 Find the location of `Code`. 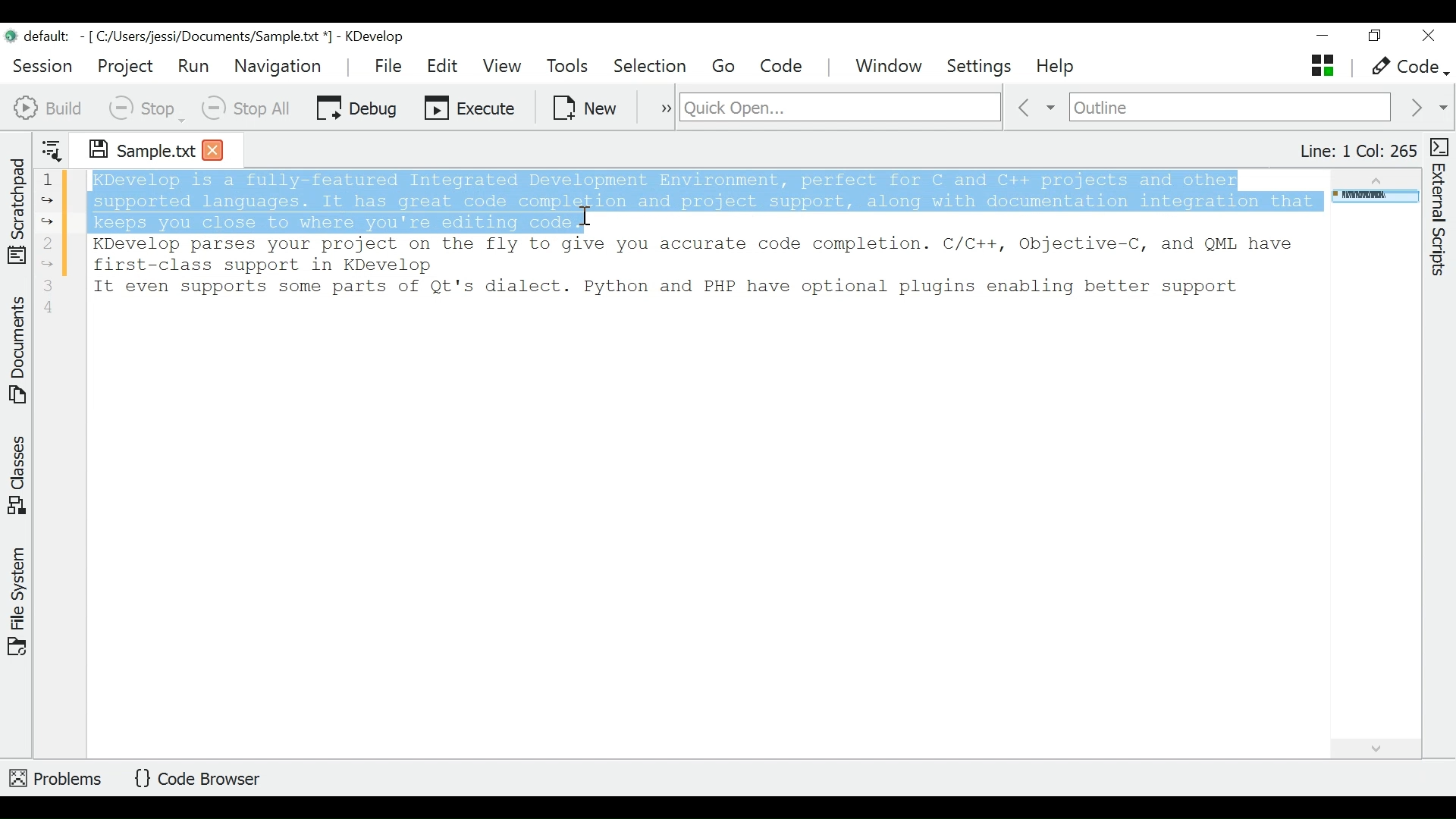

Code is located at coordinates (783, 66).